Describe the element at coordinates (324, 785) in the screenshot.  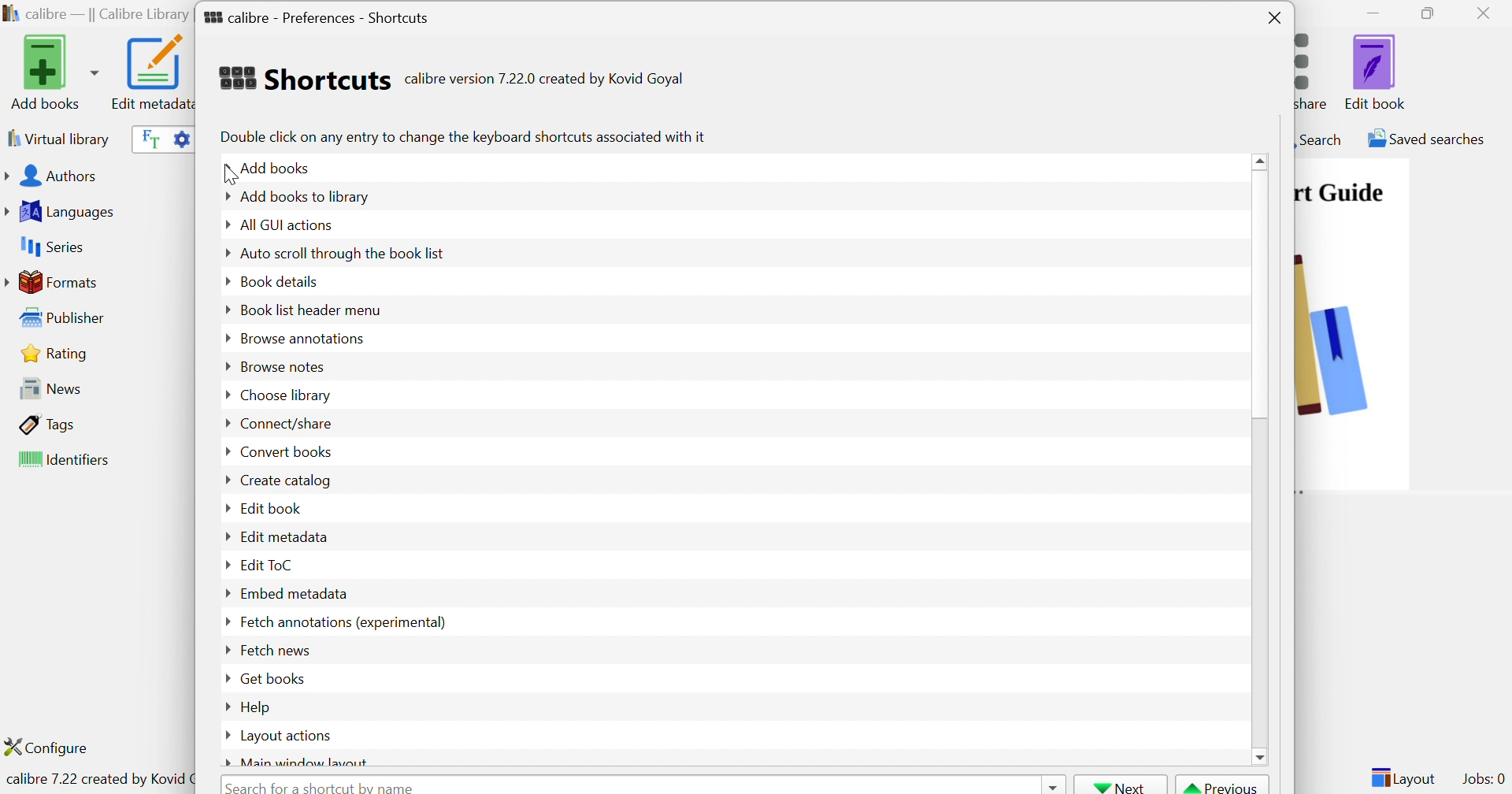
I see `Search for a shortcut by name` at that location.